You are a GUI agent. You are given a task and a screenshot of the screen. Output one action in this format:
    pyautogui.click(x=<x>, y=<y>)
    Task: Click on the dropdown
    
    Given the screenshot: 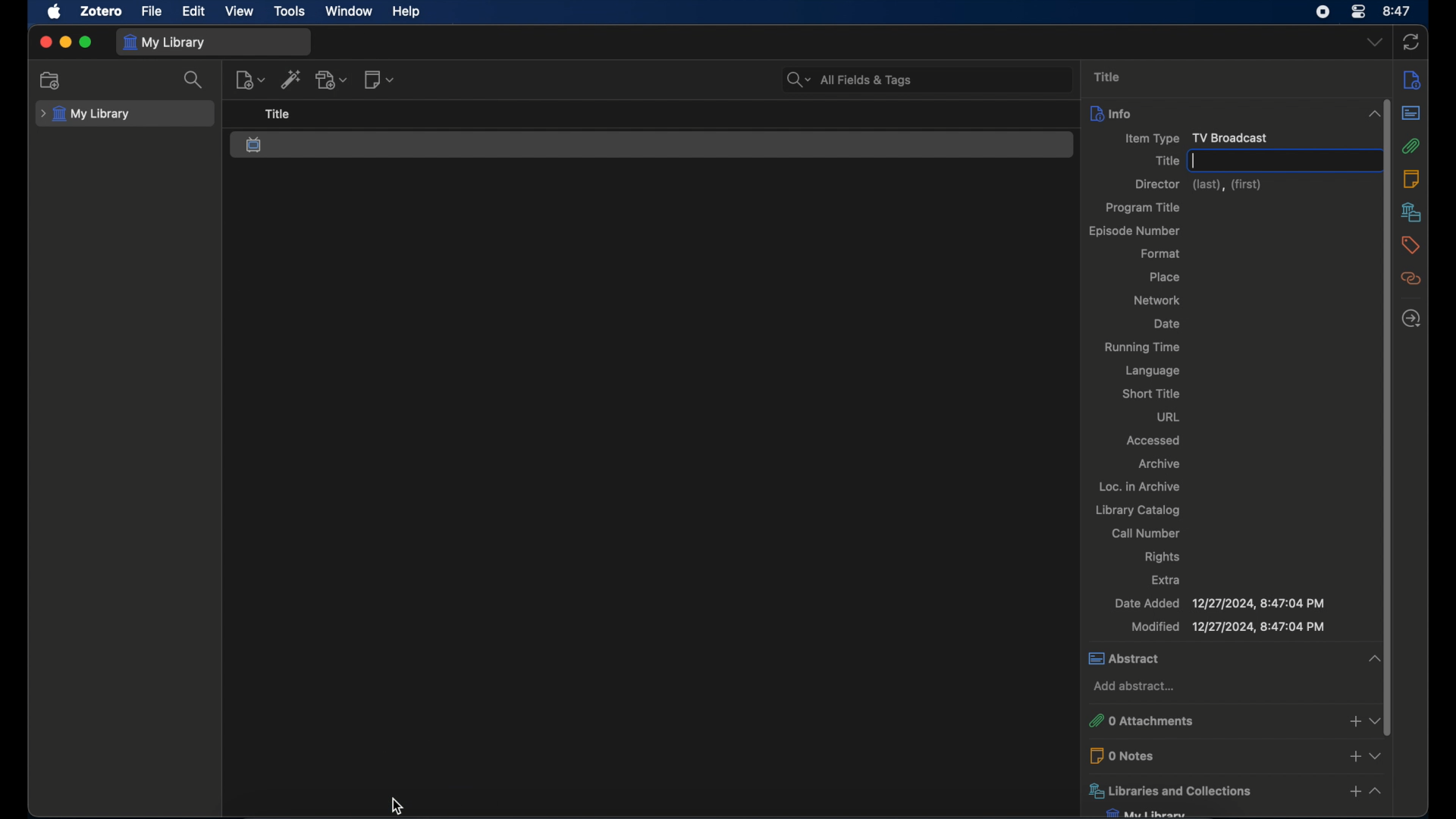 What is the action you would take?
    pyautogui.click(x=1374, y=42)
    